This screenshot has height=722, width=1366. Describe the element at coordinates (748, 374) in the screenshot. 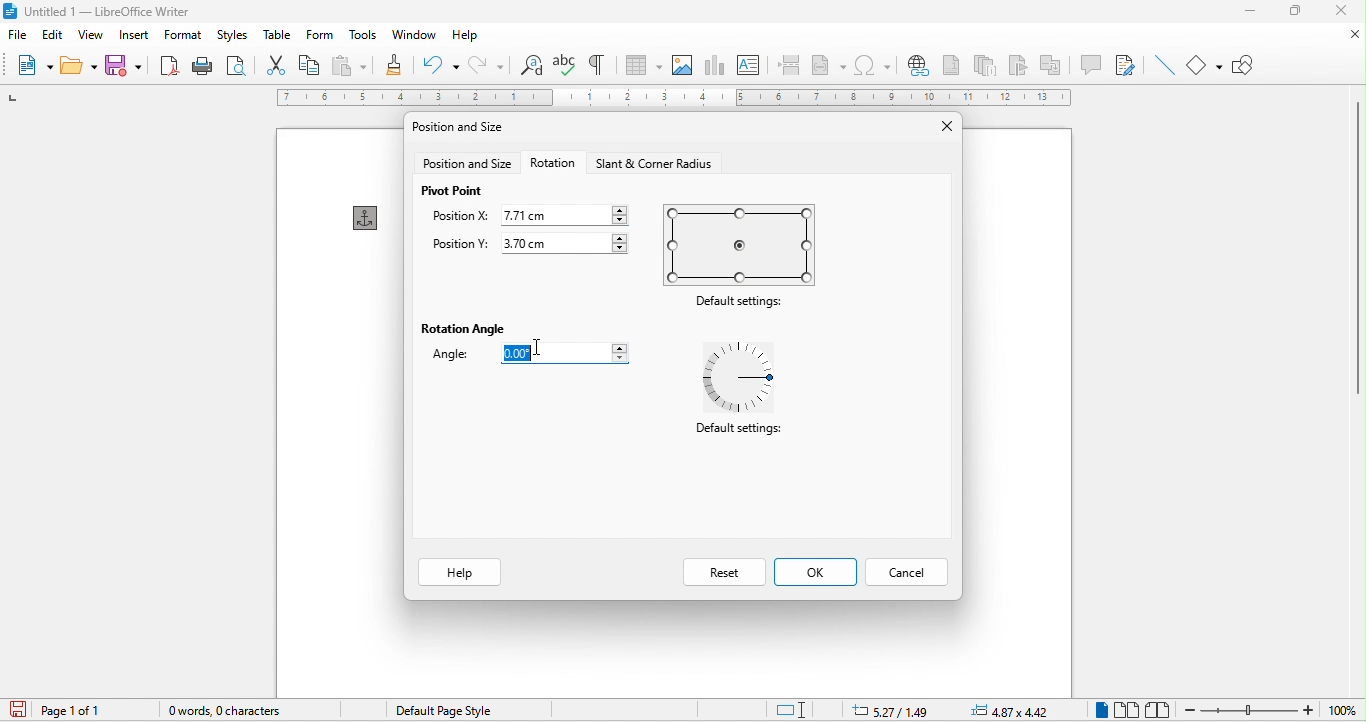

I see `default settings` at that location.